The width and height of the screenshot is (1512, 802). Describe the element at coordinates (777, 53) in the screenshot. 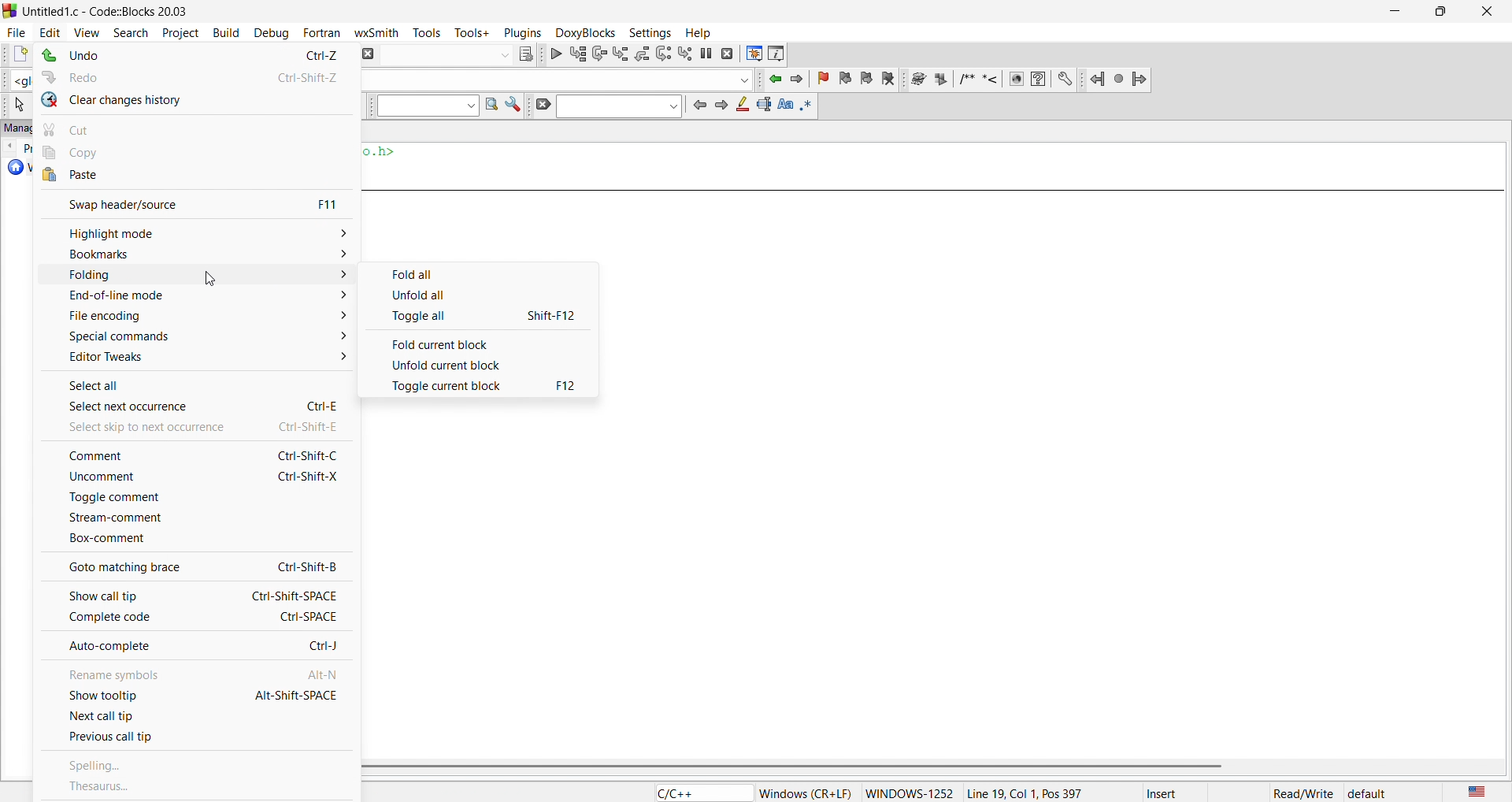

I see `various info` at that location.